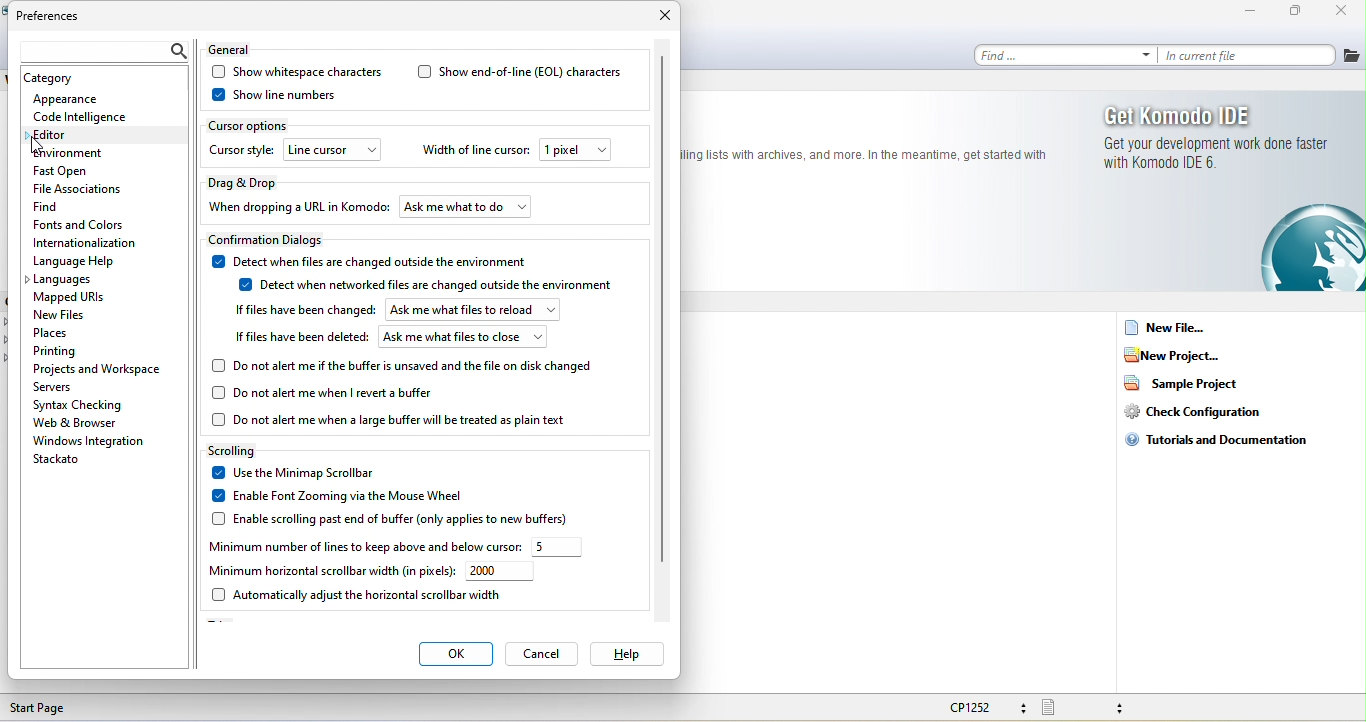 This screenshot has height=722, width=1366. I want to click on ask me what files to close, so click(464, 338).